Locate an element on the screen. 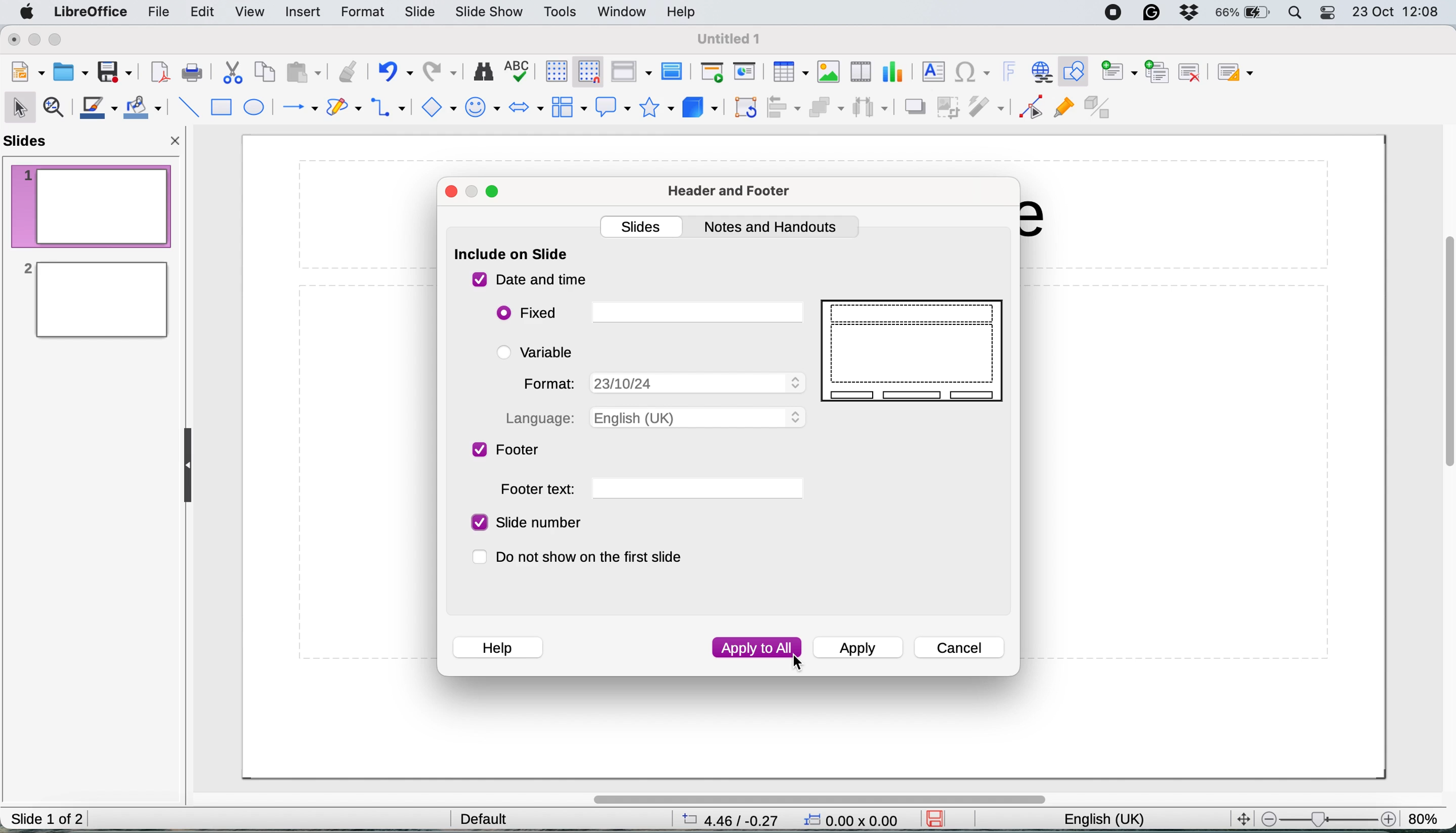  battery is located at coordinates (1243, 13).